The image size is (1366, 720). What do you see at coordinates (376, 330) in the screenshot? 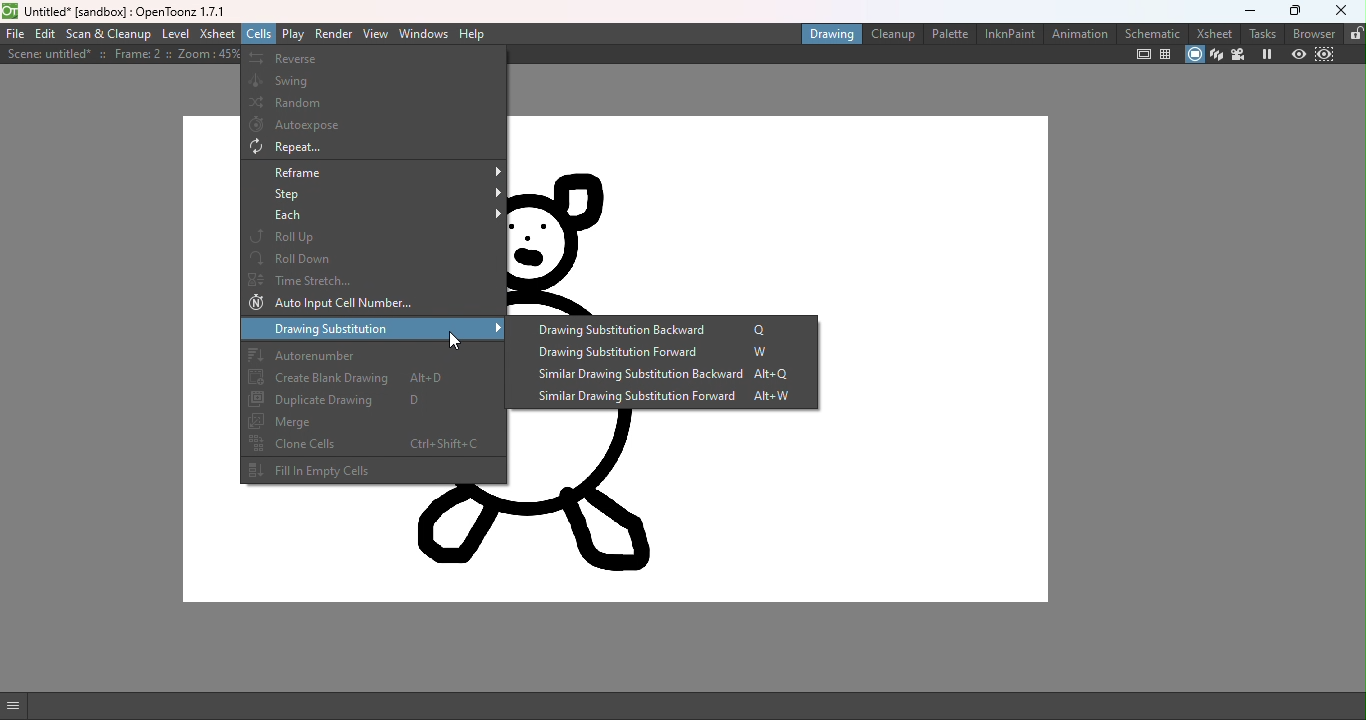
I see `Drawing substitution` at bounding box center [376, 330].